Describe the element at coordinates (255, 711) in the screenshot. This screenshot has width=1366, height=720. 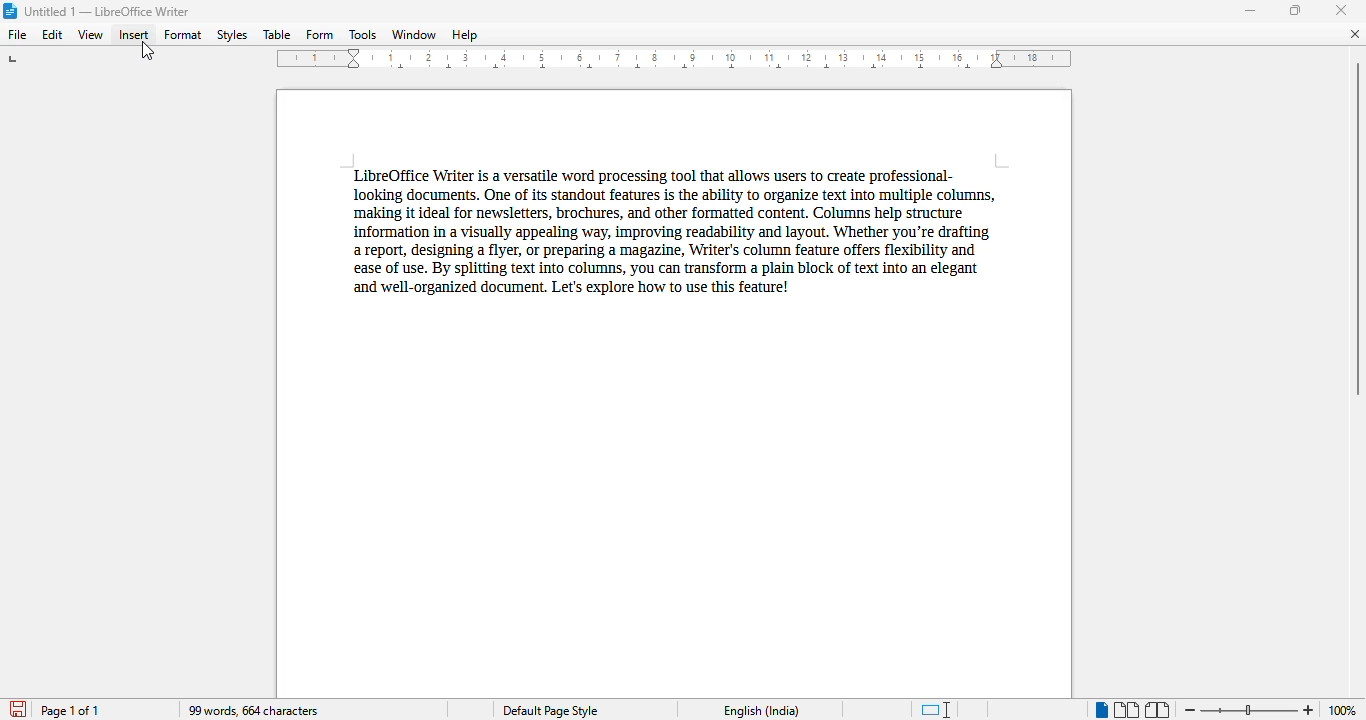
I see `99 words, 664 characters` at that location.